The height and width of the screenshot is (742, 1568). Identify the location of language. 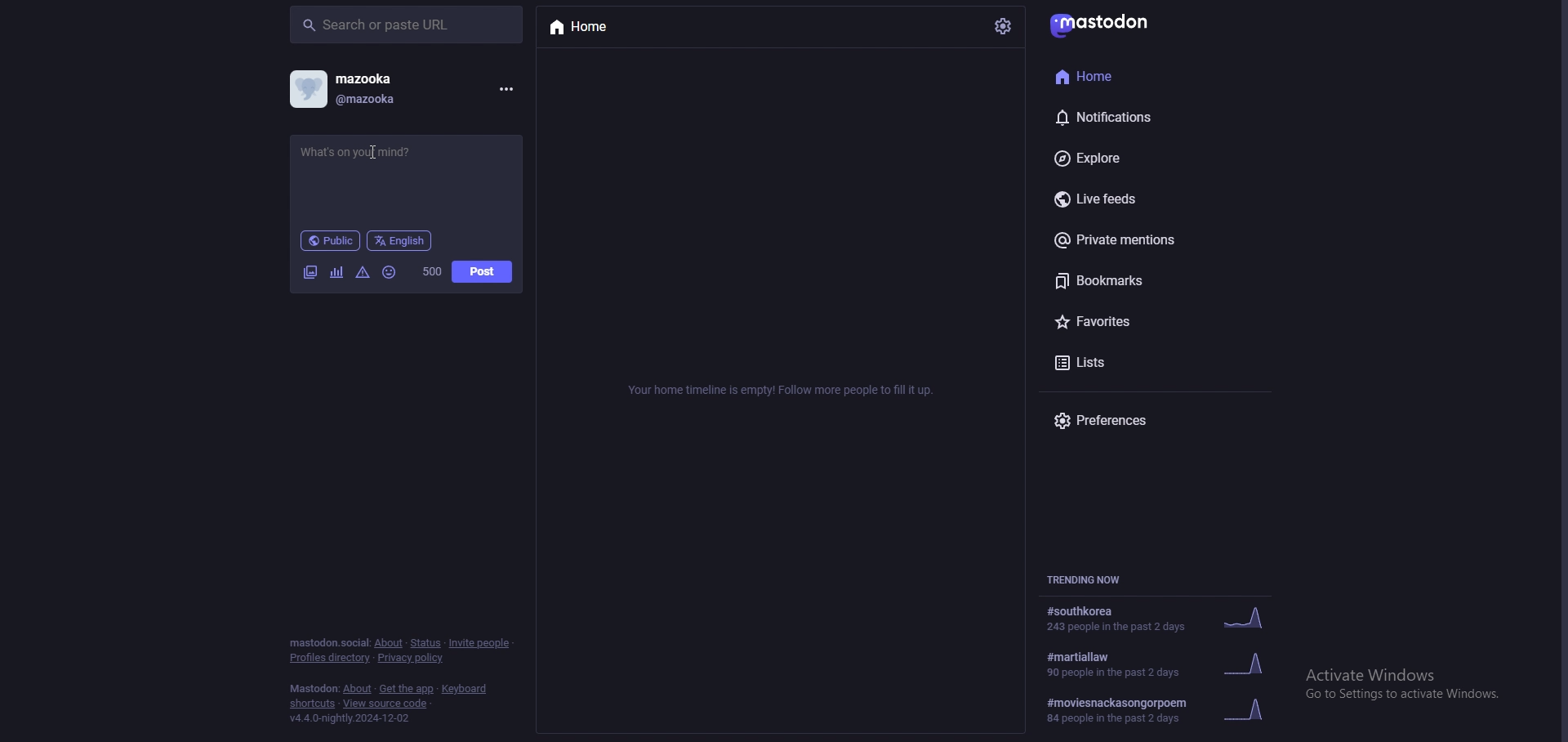
(400, 240).